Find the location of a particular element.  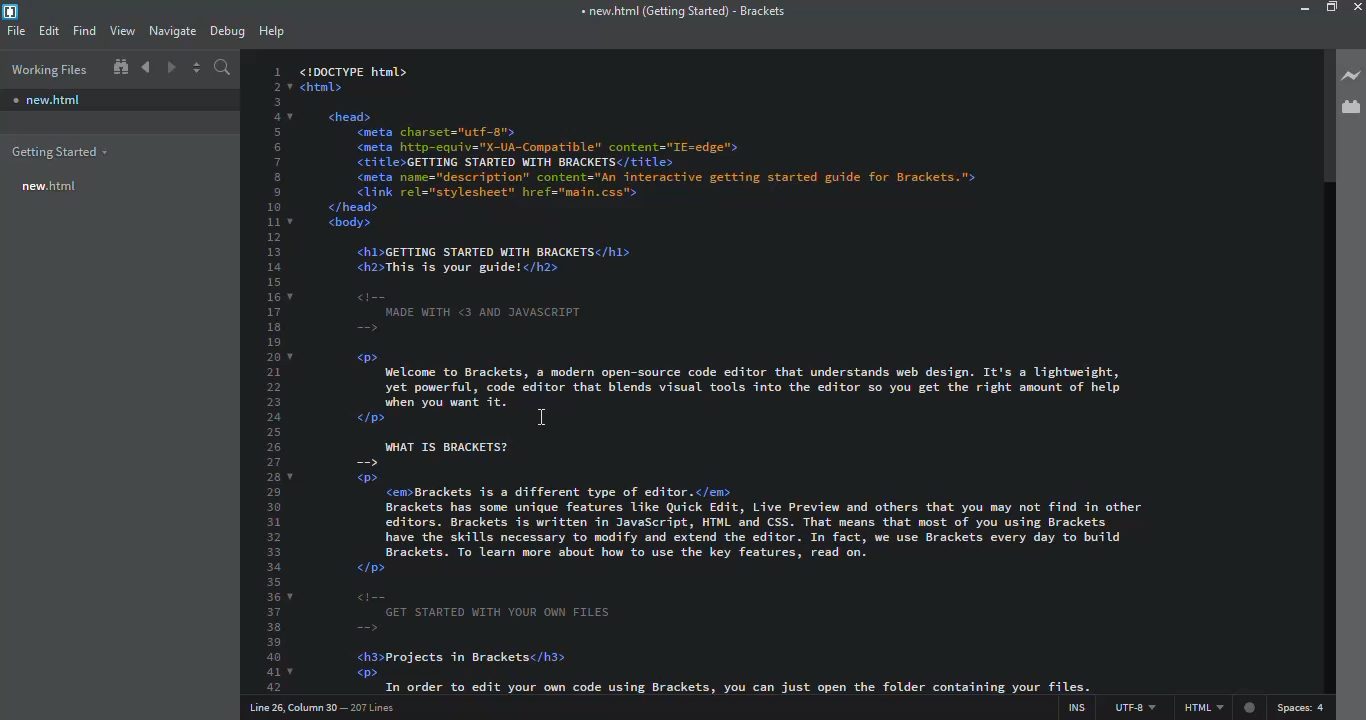

navigate back is located at coordinates (148, 67).